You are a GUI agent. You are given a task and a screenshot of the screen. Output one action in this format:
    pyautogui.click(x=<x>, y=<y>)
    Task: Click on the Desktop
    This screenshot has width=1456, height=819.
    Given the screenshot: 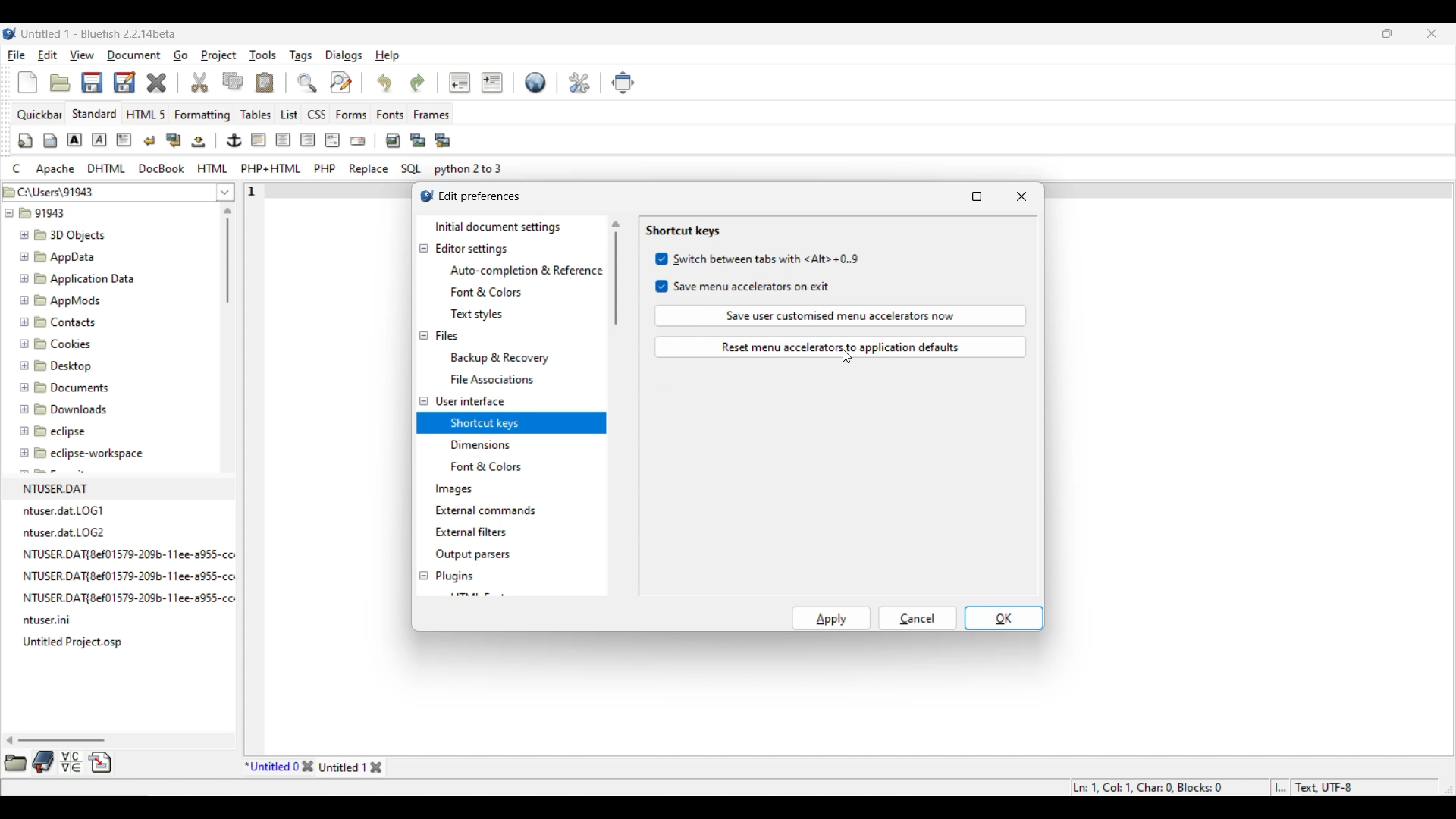 What is the action you would take?
    pyautogui.click(x=64, y=363)
    